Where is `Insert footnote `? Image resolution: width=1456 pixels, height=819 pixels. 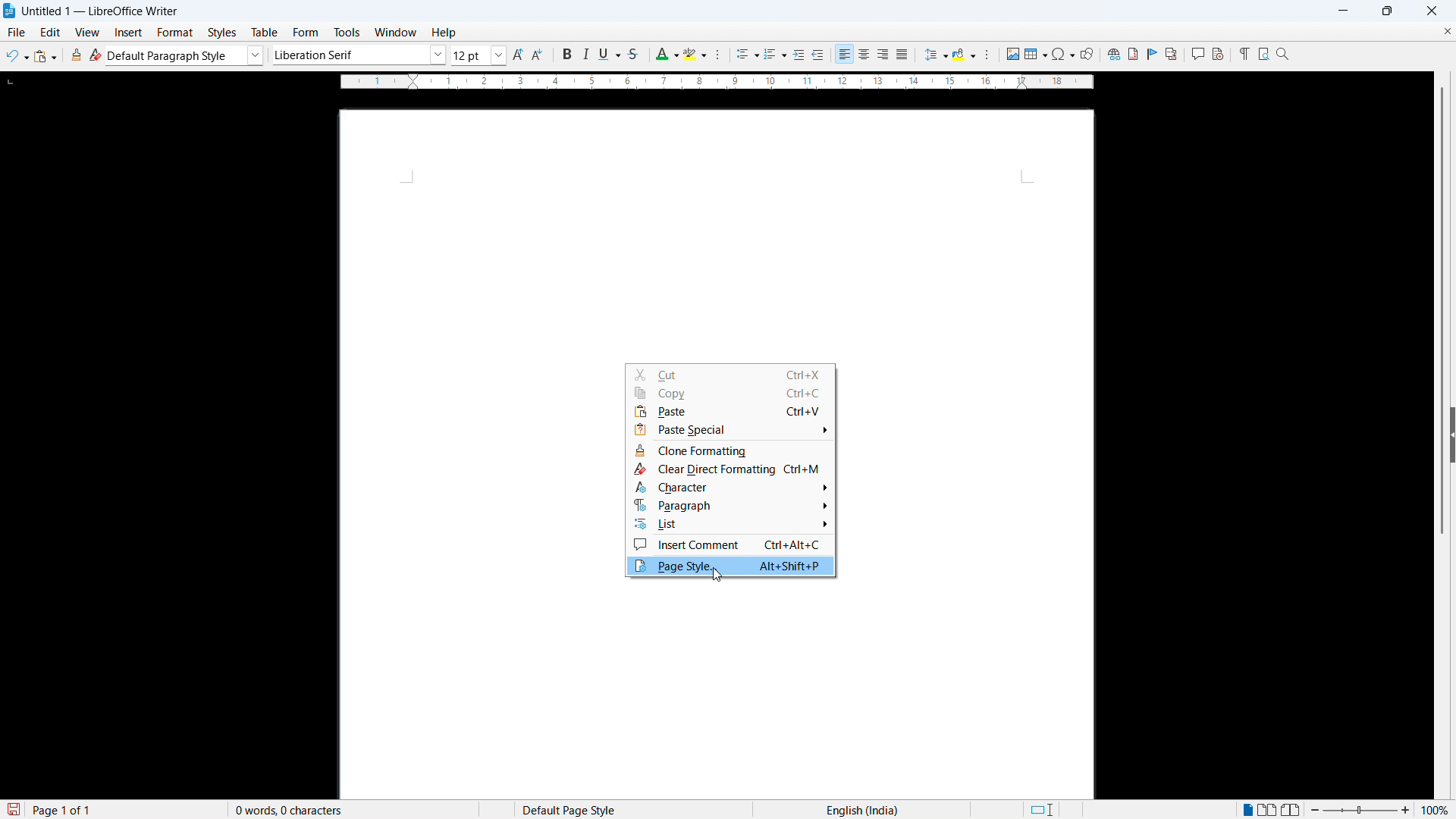
Insert footnote  is located at coordinates (1132, 54).